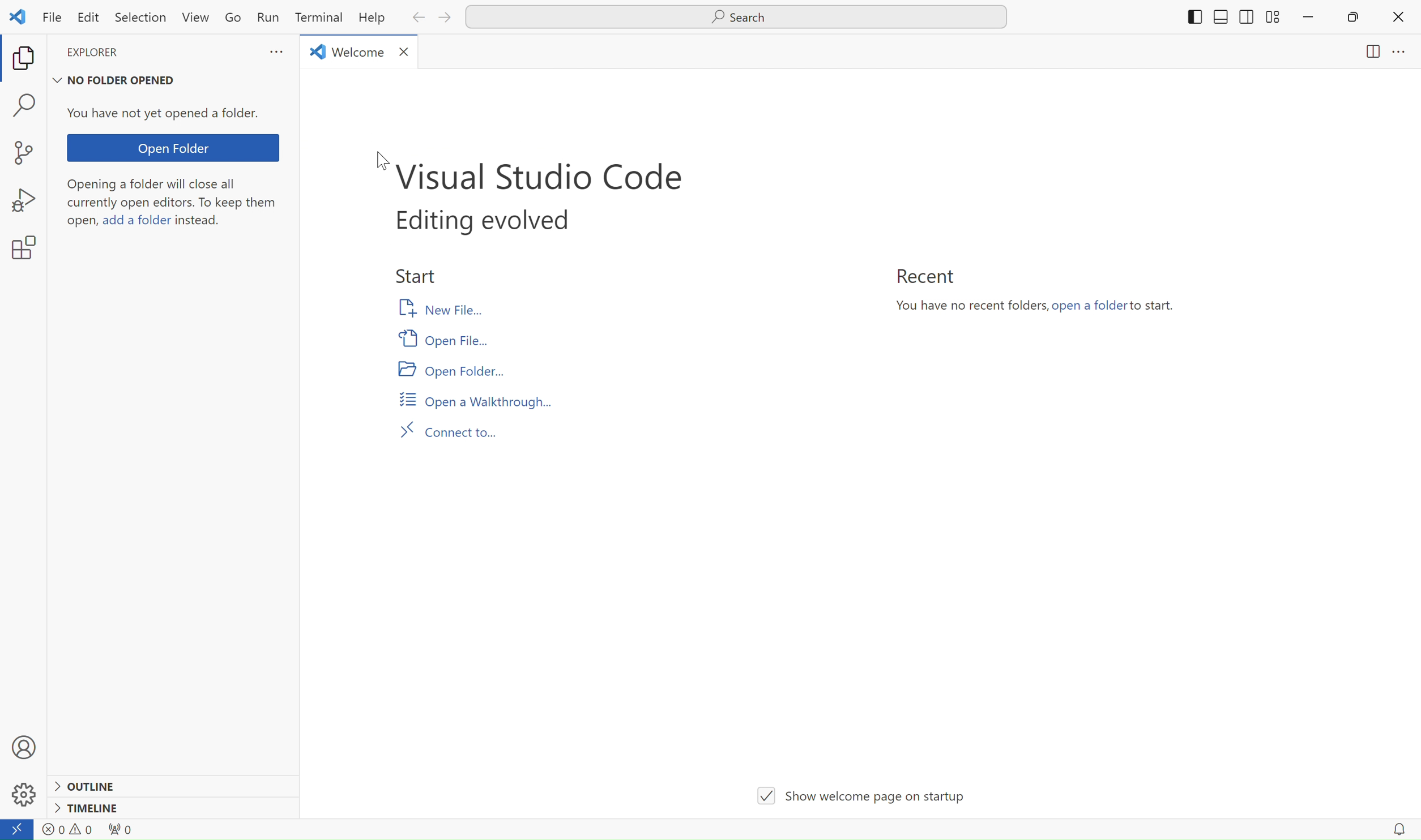 This screenshot has width=1421, height=840. I want to click on cursor, so click(382, 160).